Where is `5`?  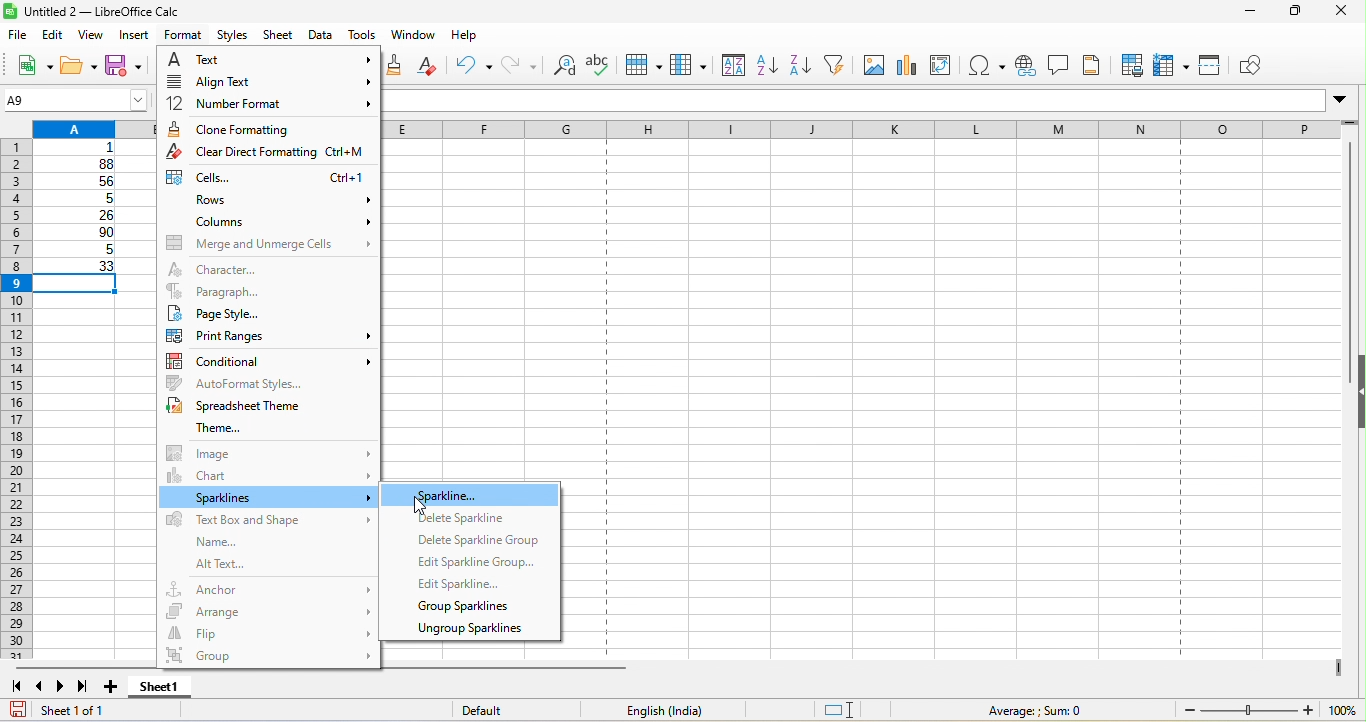 5 is located at coordinates (76, 252).